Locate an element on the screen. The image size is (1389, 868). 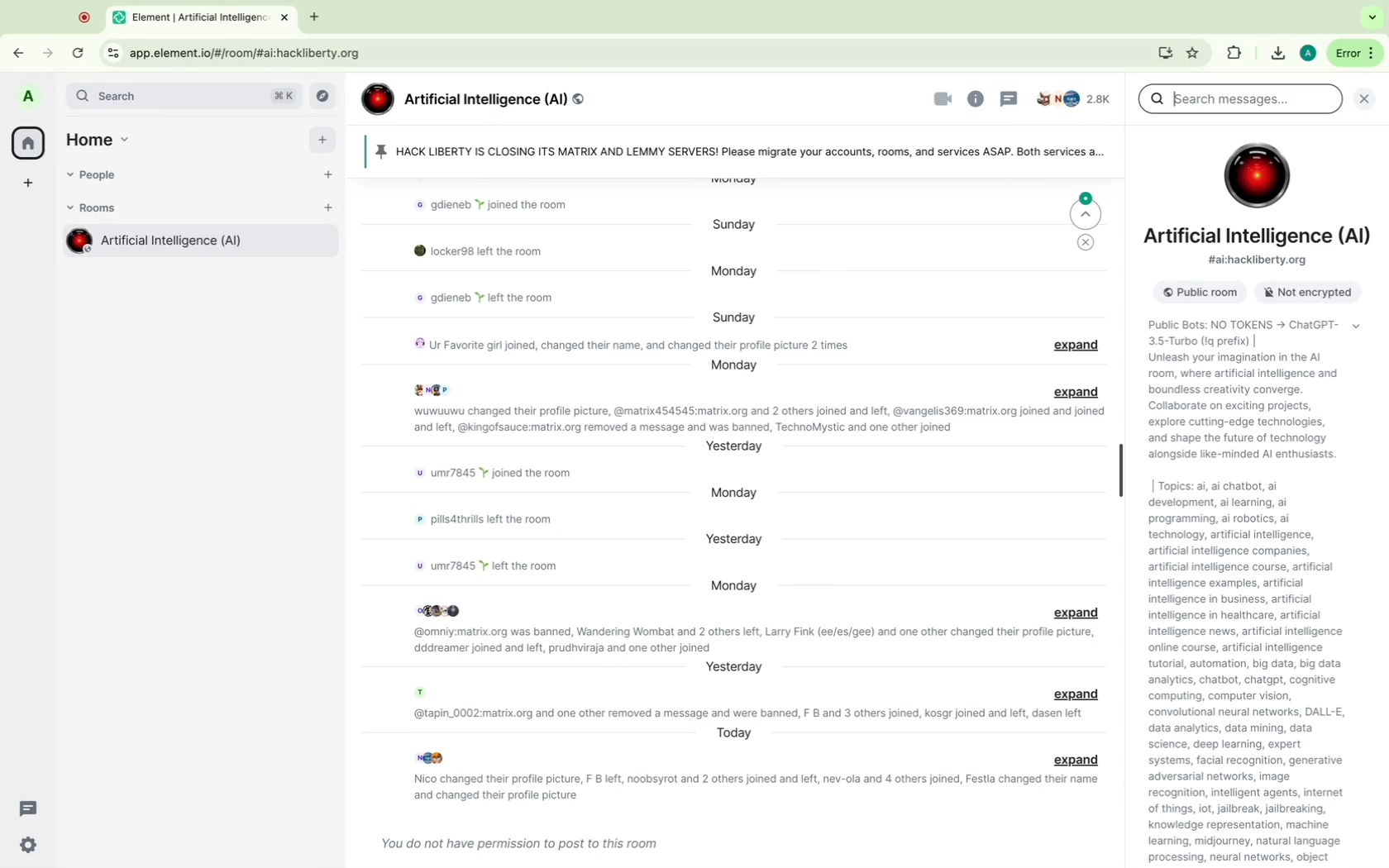
pin is located at coordinates (739, 153).